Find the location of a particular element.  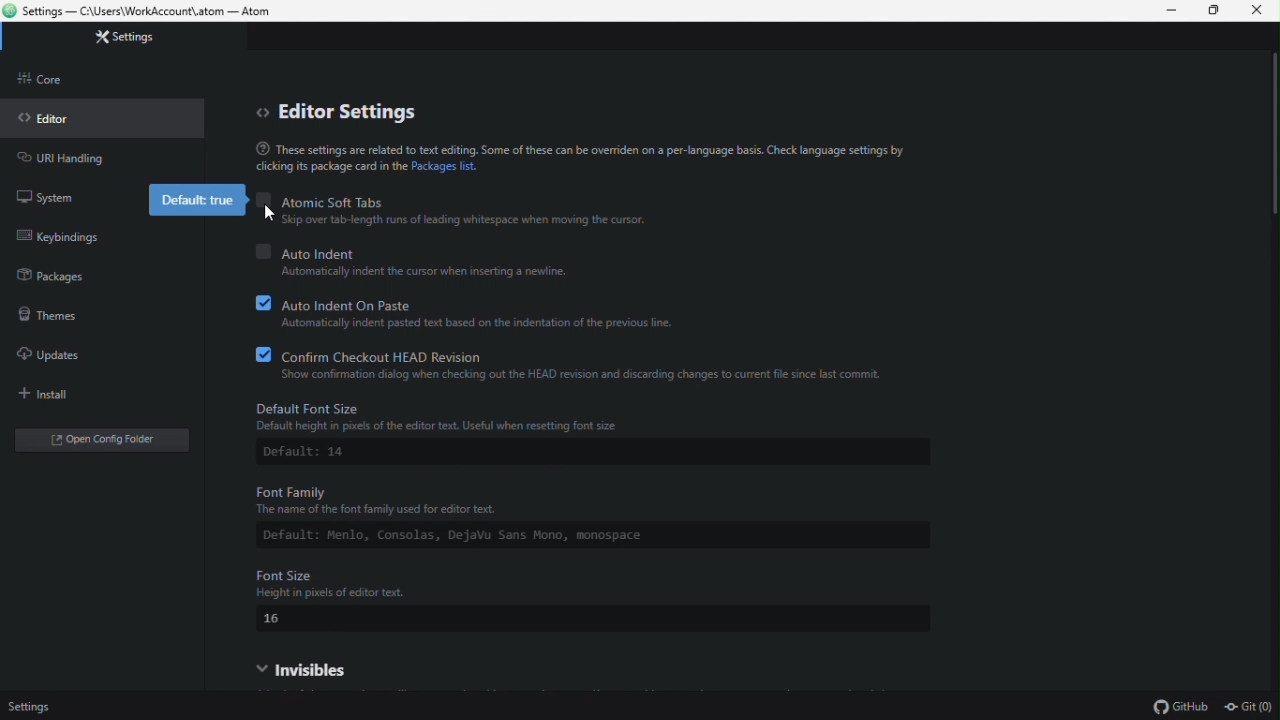

off is located at coordinates (263, 251).